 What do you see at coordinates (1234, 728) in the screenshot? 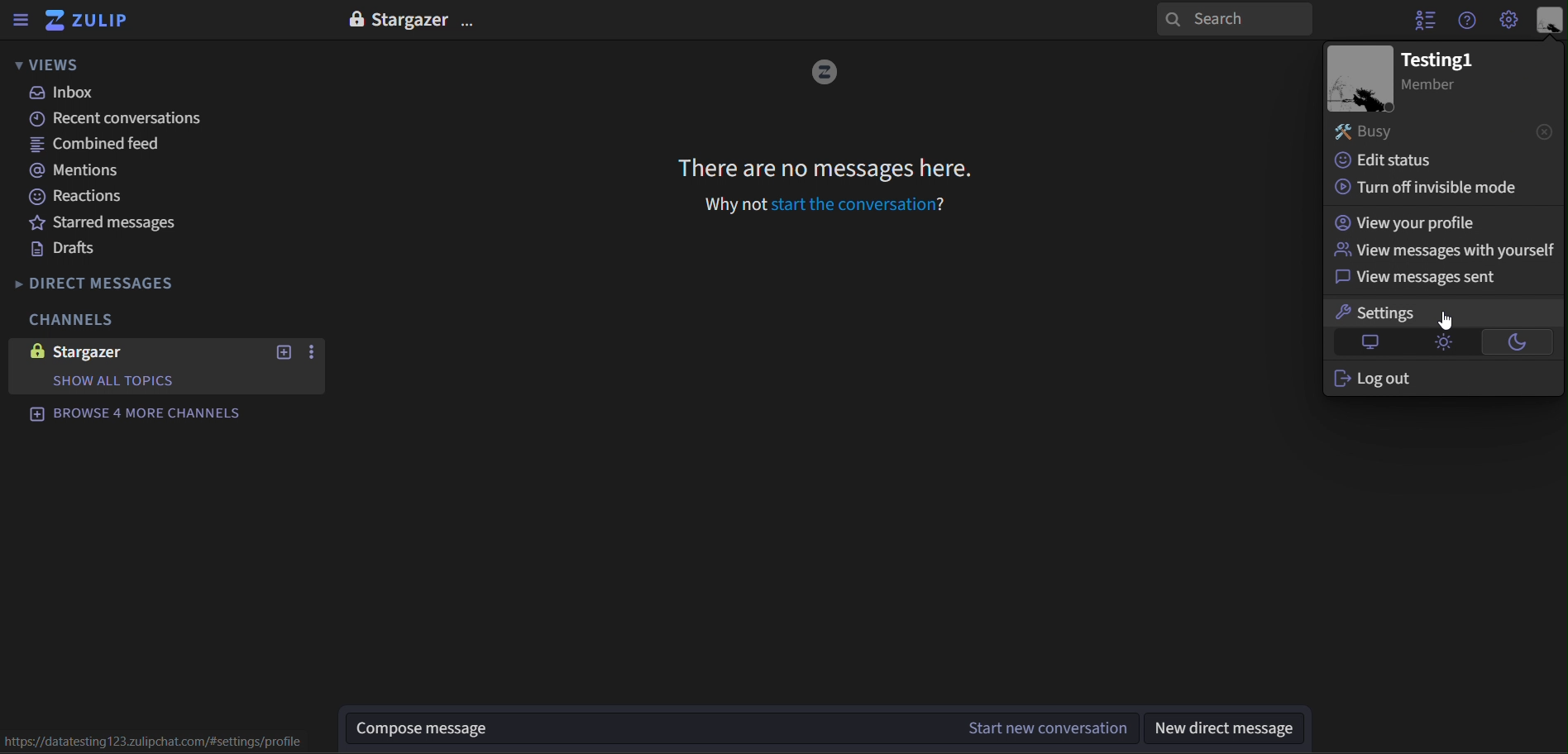
I see `new direct message` at bounding box center [1234, 728].